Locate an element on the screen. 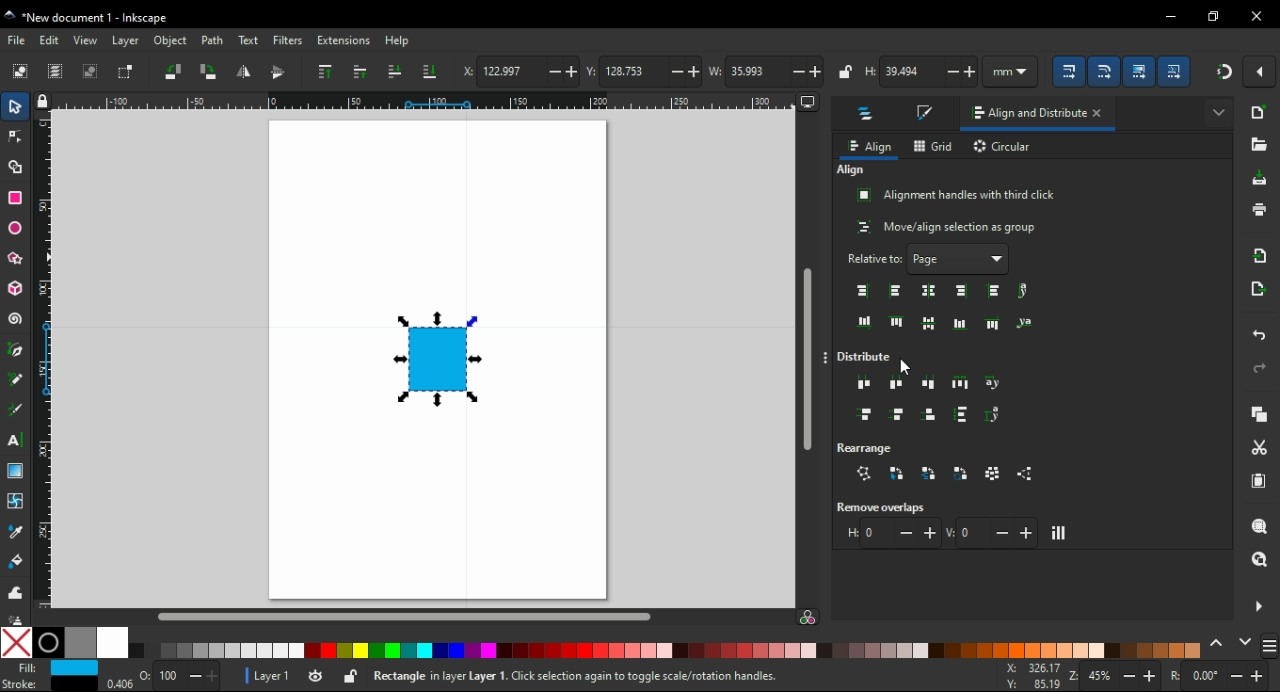 The height and width of the screenshot is (692, 1280). exchange positions of selected objects - rotate around center point is located at coordinates (962, 474).